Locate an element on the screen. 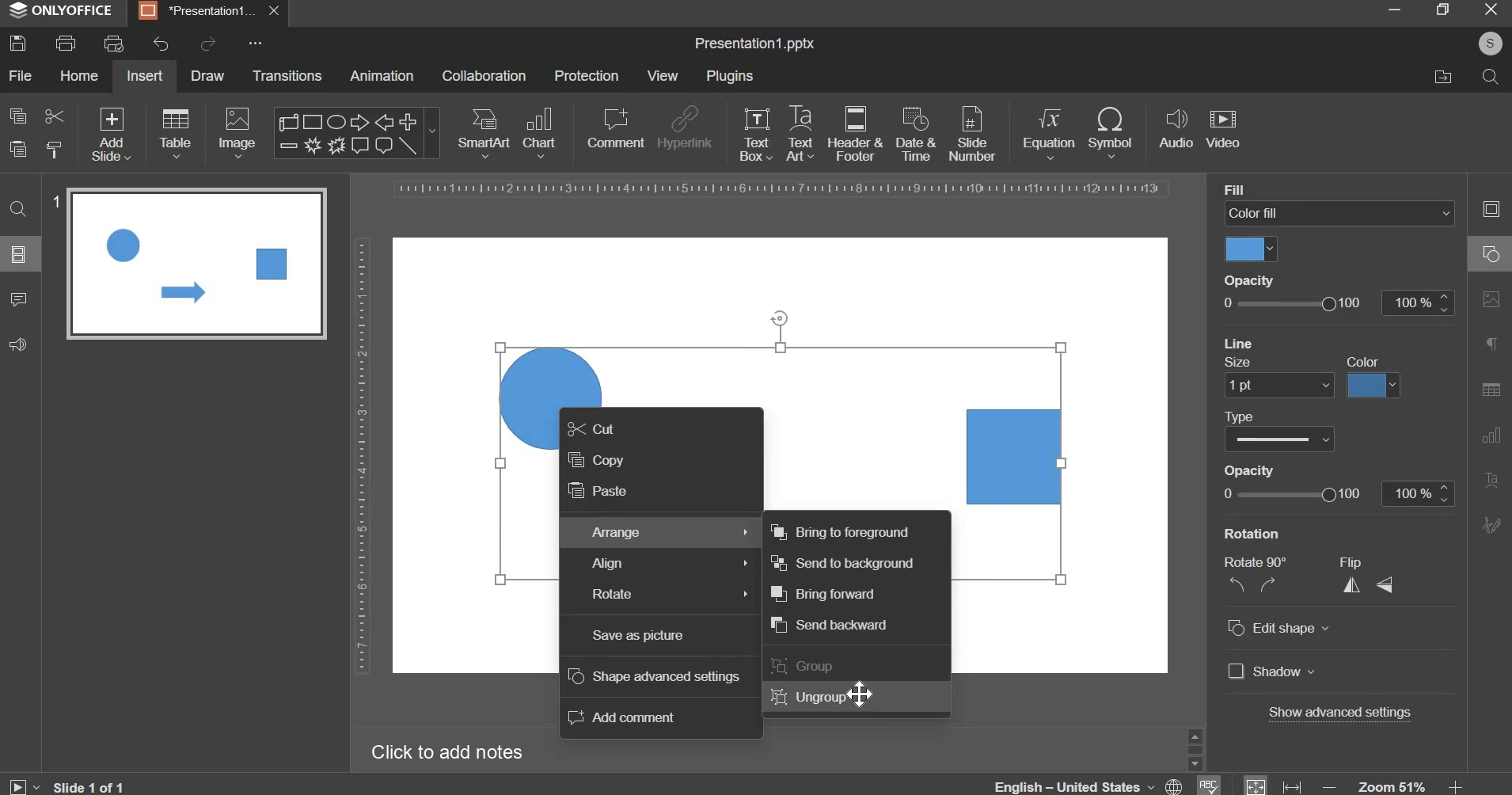 This screenshot has height=795, width=1512. flip vertical is located at coordinates (1387, 584).